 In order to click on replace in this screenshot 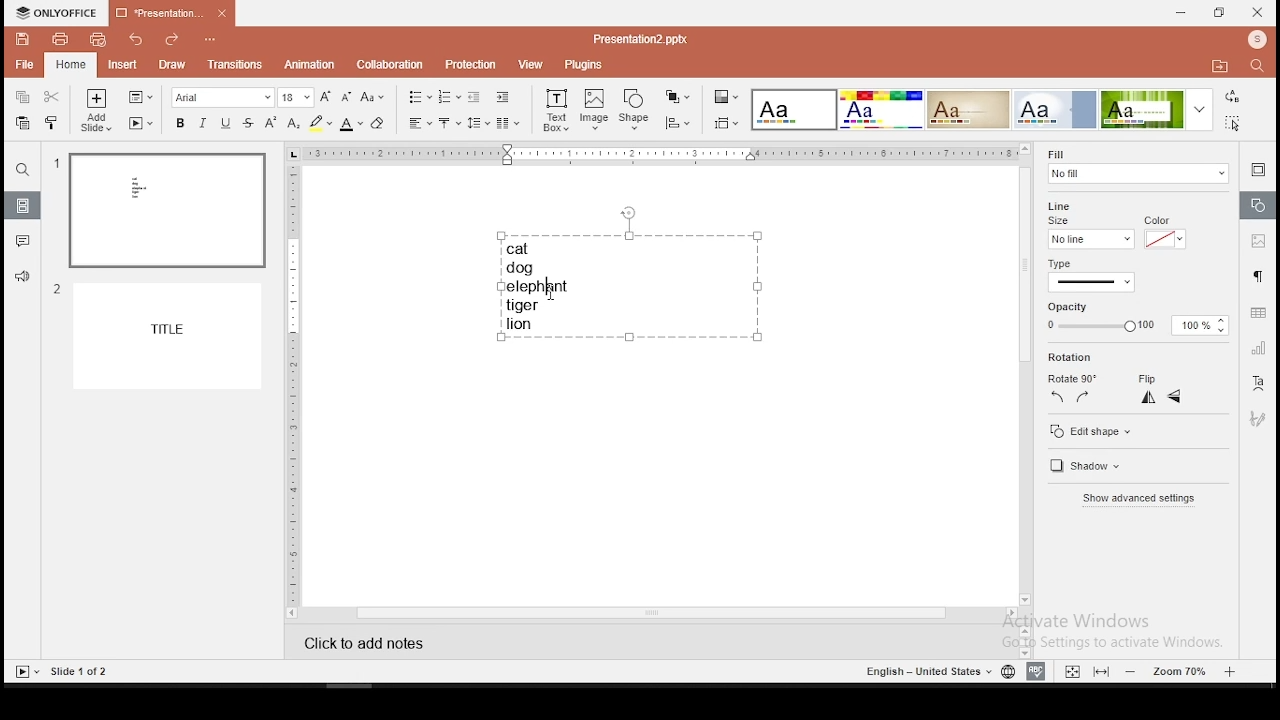, I will do `click(1232, 97)`.